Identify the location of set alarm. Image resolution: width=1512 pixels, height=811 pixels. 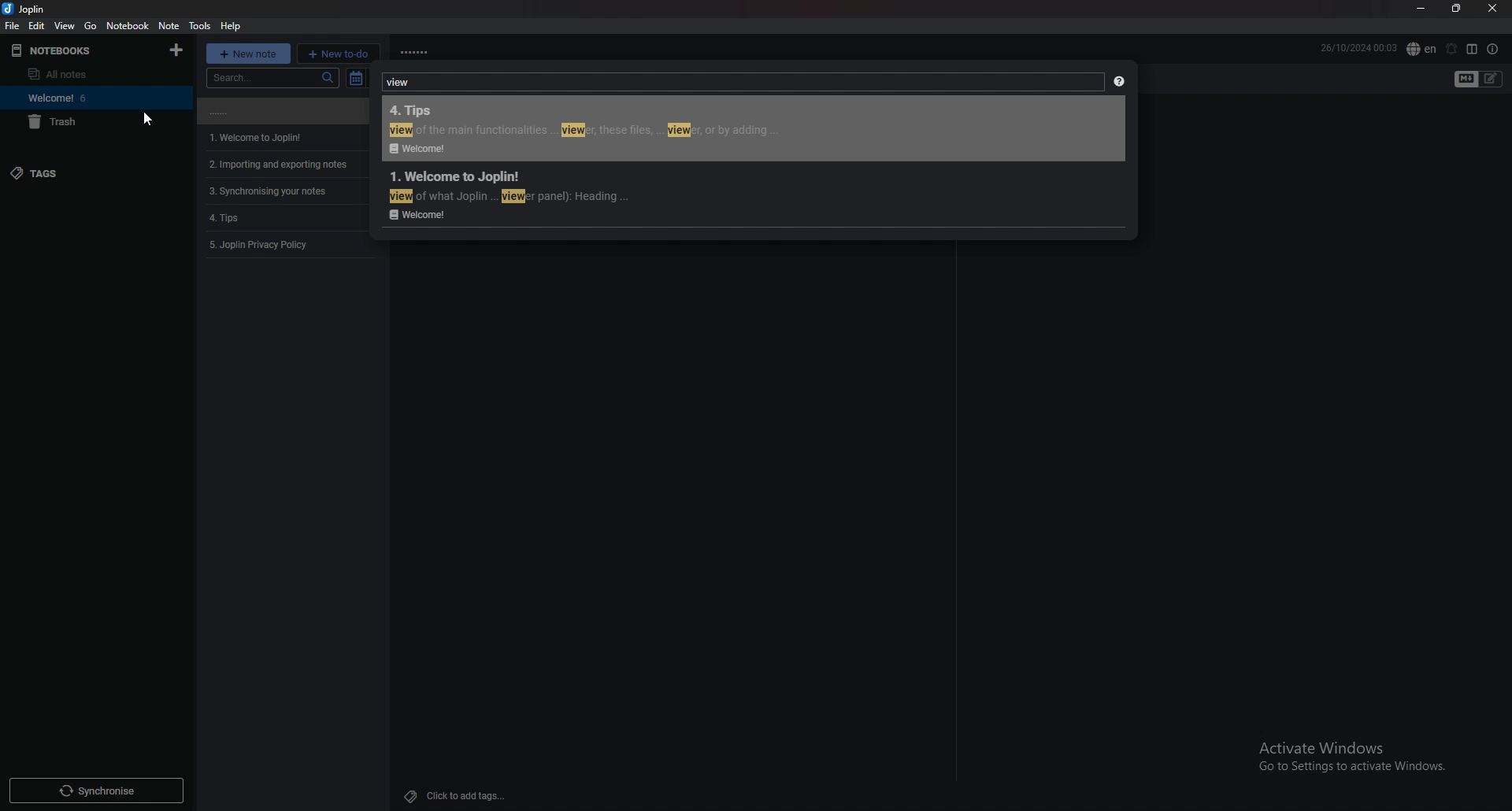
(1451, 49).